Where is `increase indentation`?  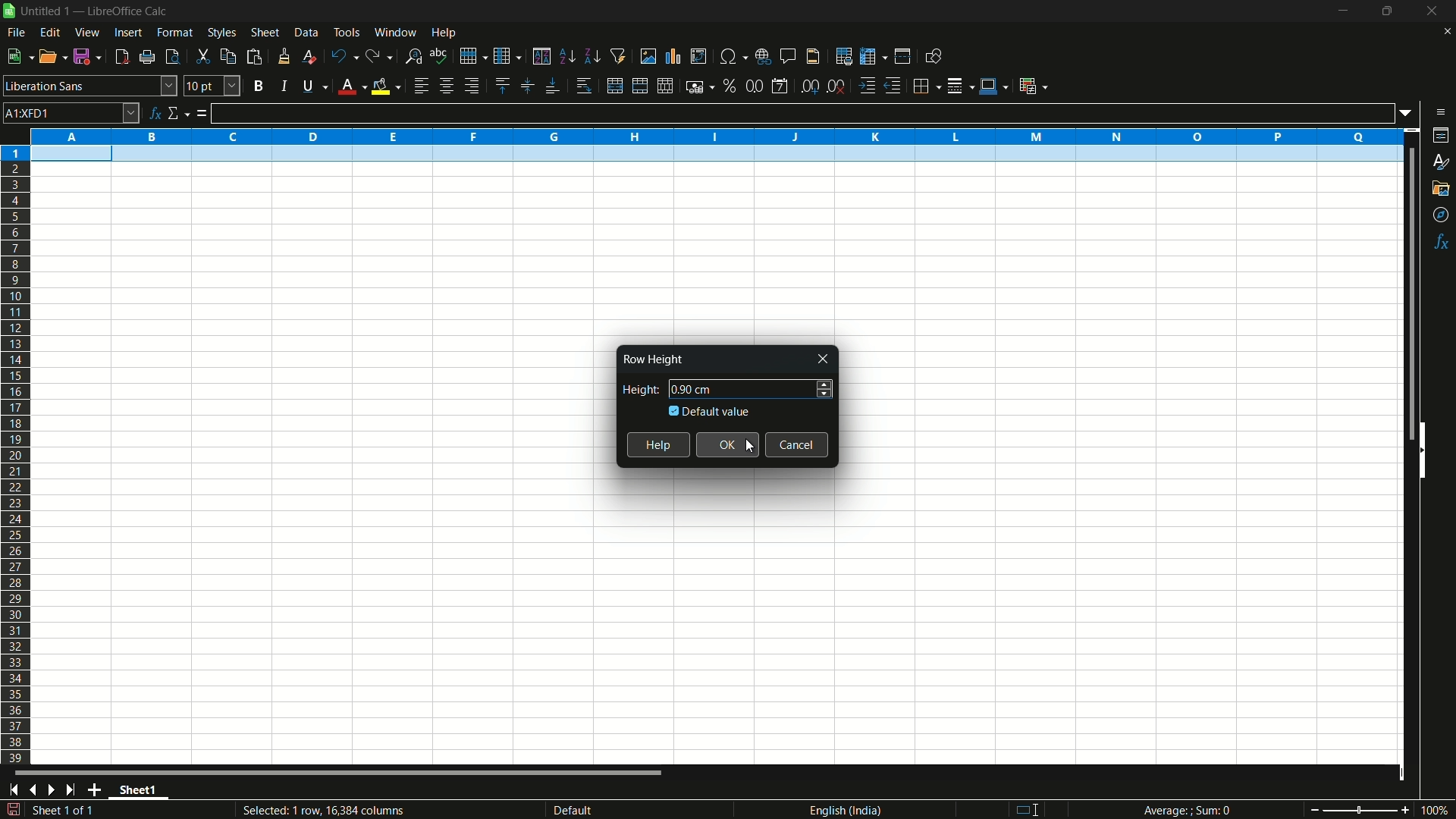 increase indentation is located at coordinates (868, 86).